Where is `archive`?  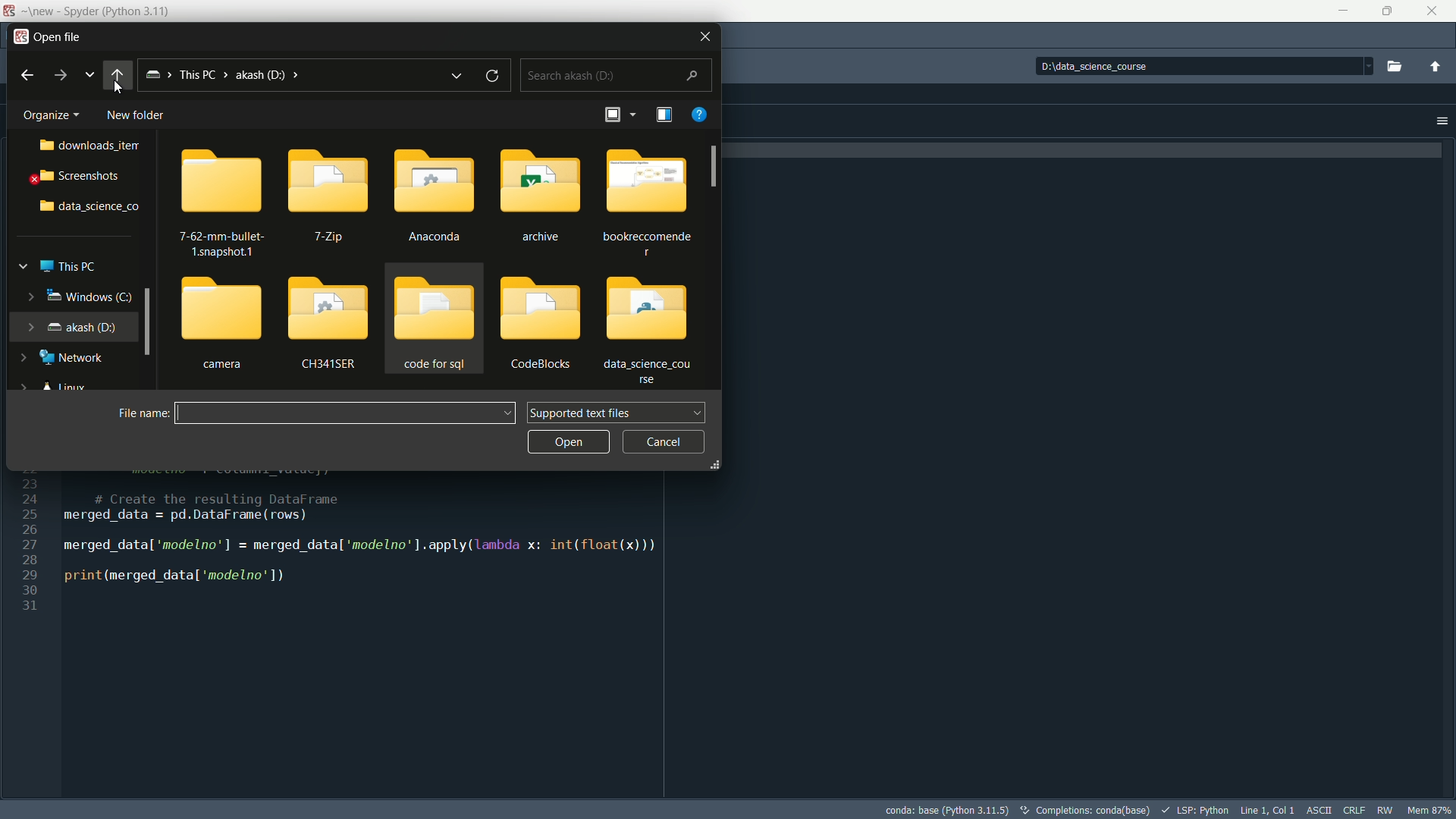 archive is located at coordinates (540, 193).